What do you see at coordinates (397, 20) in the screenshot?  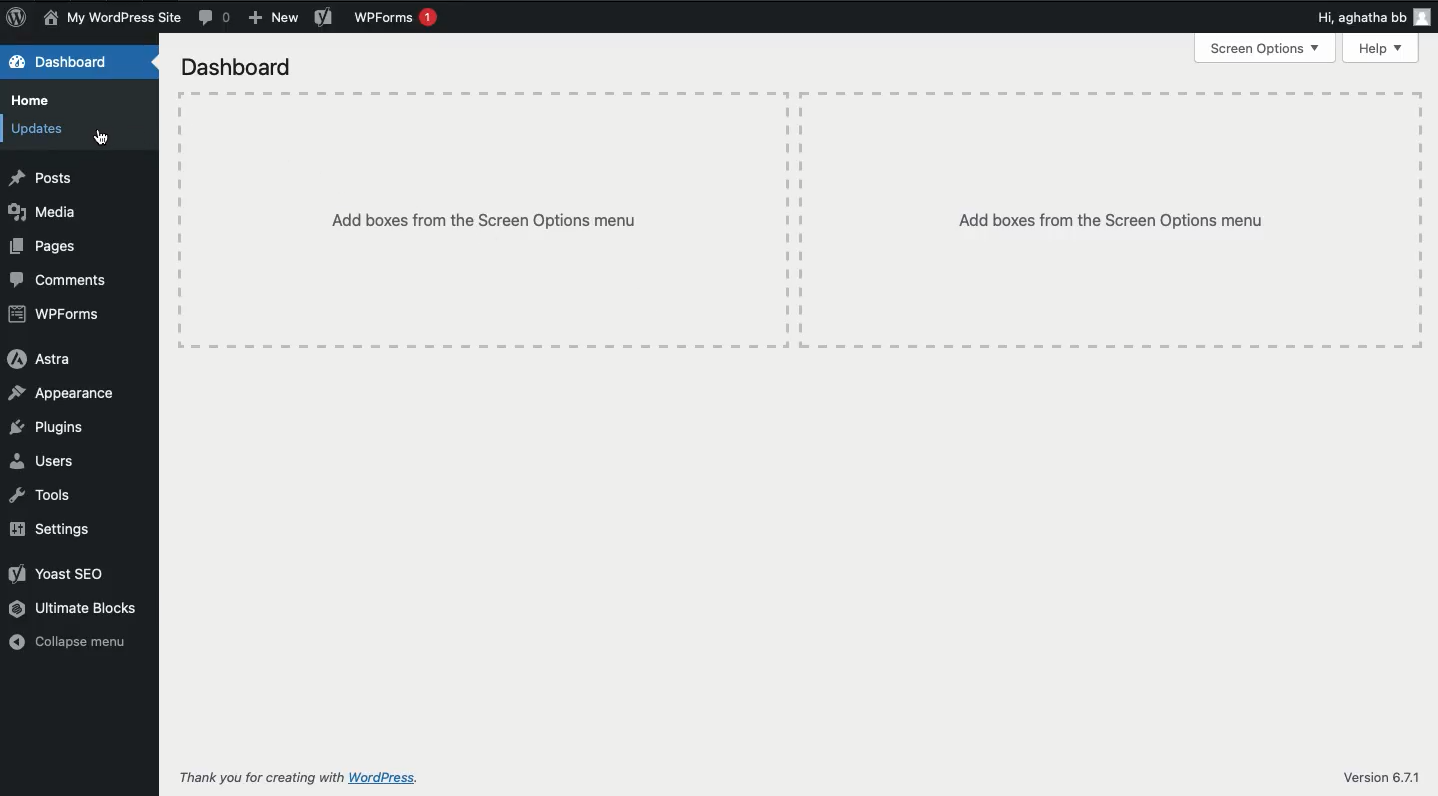 I see `WPForms` at bounding box center [397, 20].